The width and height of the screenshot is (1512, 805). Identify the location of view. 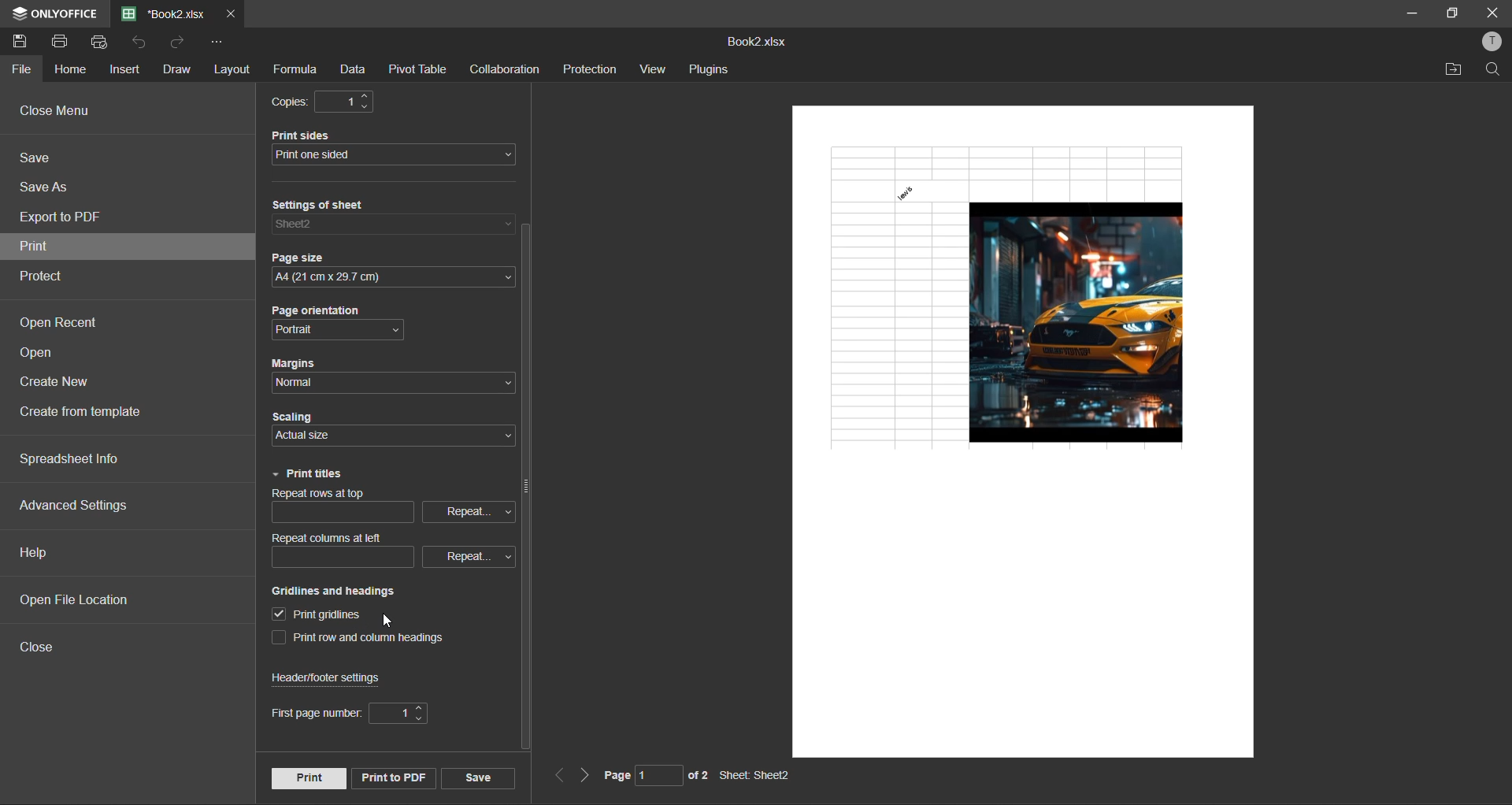
(651, 69).